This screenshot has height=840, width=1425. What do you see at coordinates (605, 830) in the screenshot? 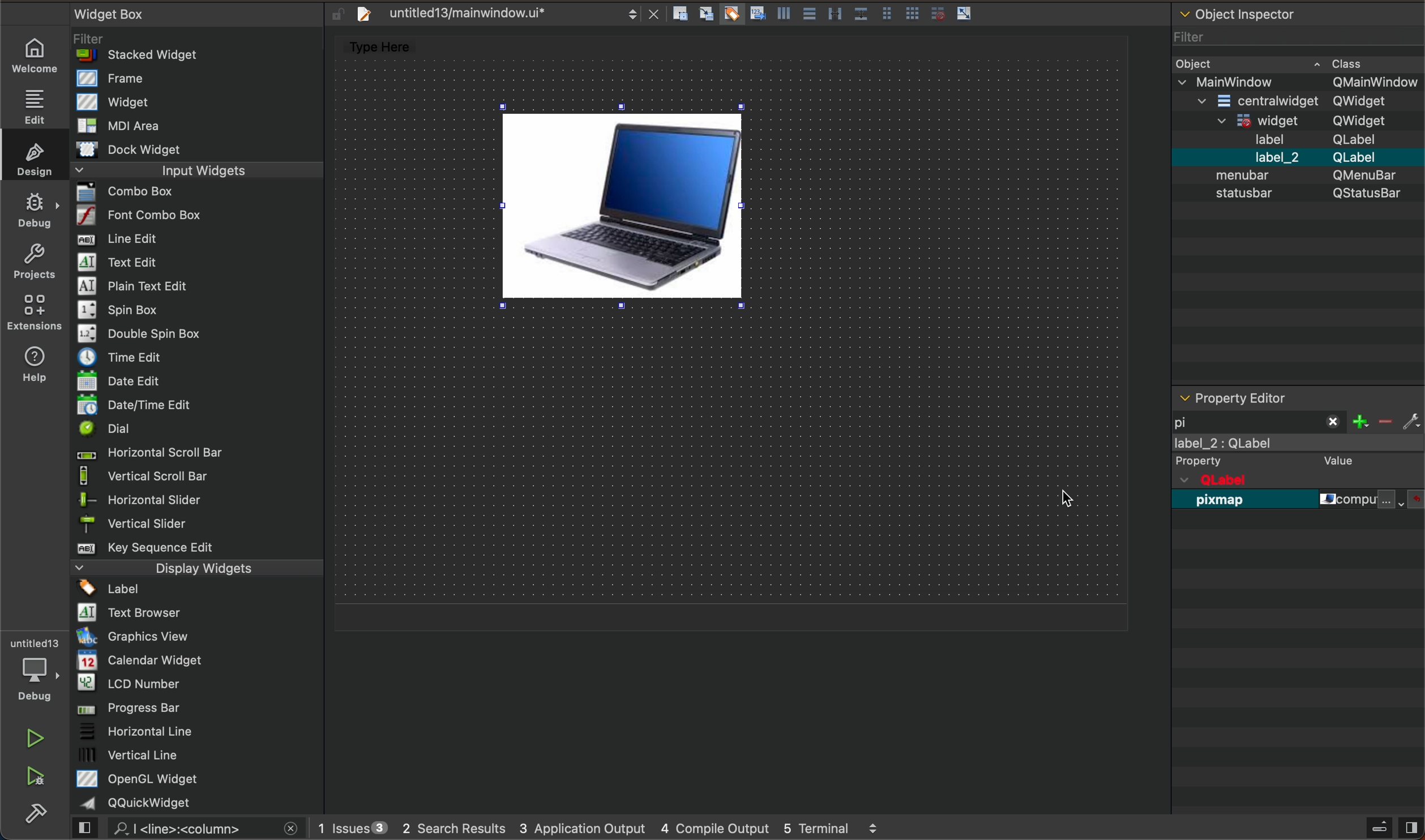
I see `logs` at bounding box center [605, 830].